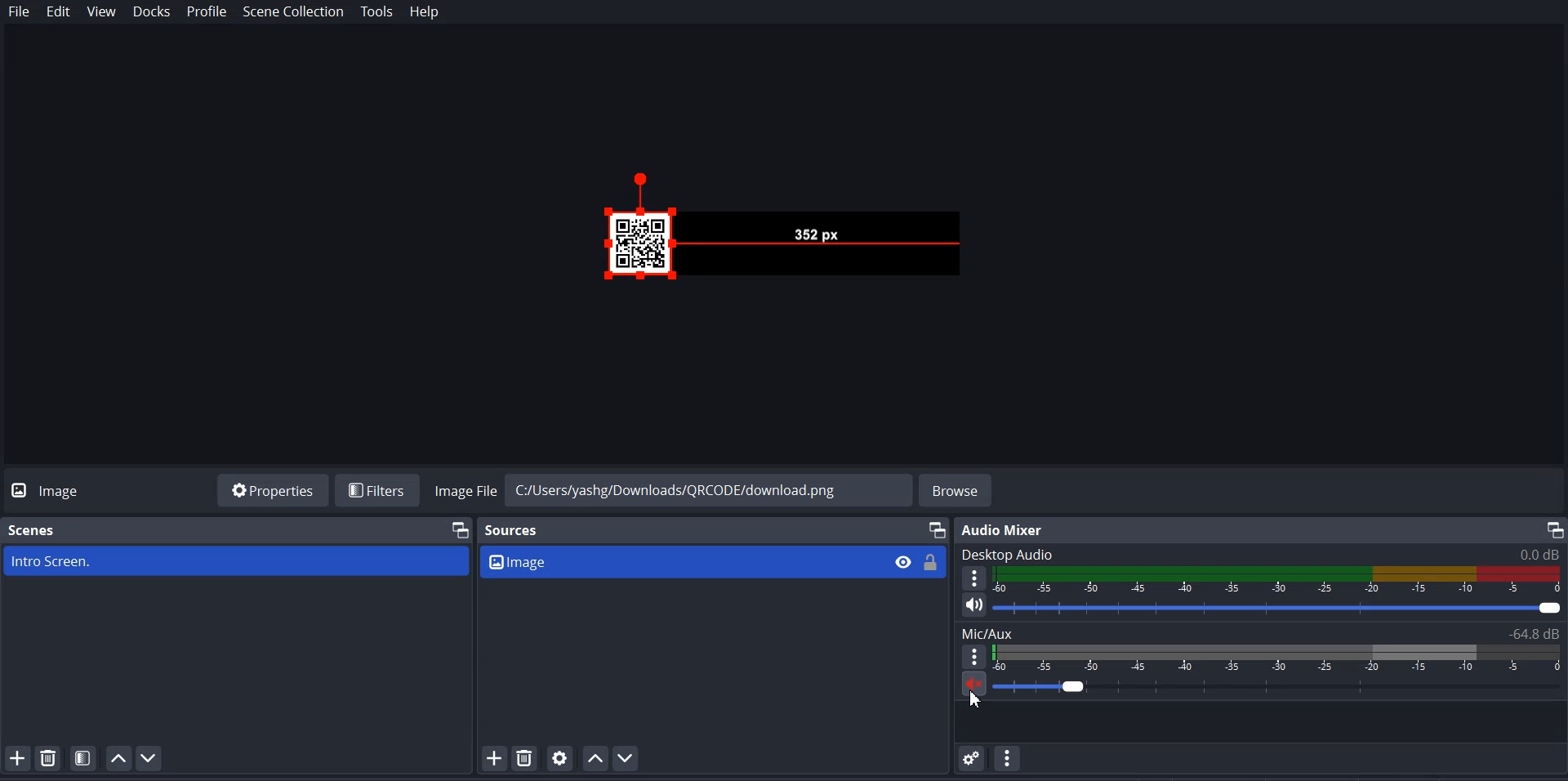 The height and width of the screenshot is (781, 1568). What do you see at coordinates (207, 12) in the screenshot?
I see `Profile` at bounding box center [207, 12].